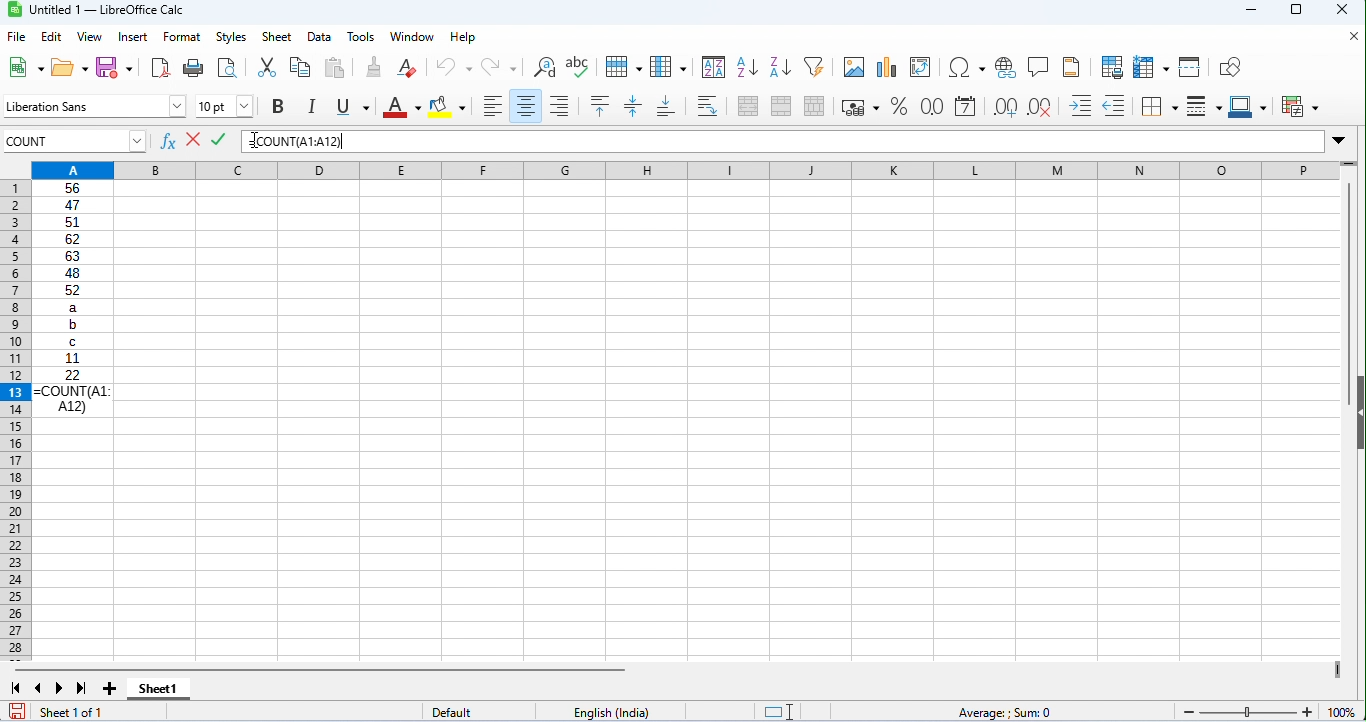 The width and height of the screenshot is (1366, 722). I want to click on tools, so click(363, 37).